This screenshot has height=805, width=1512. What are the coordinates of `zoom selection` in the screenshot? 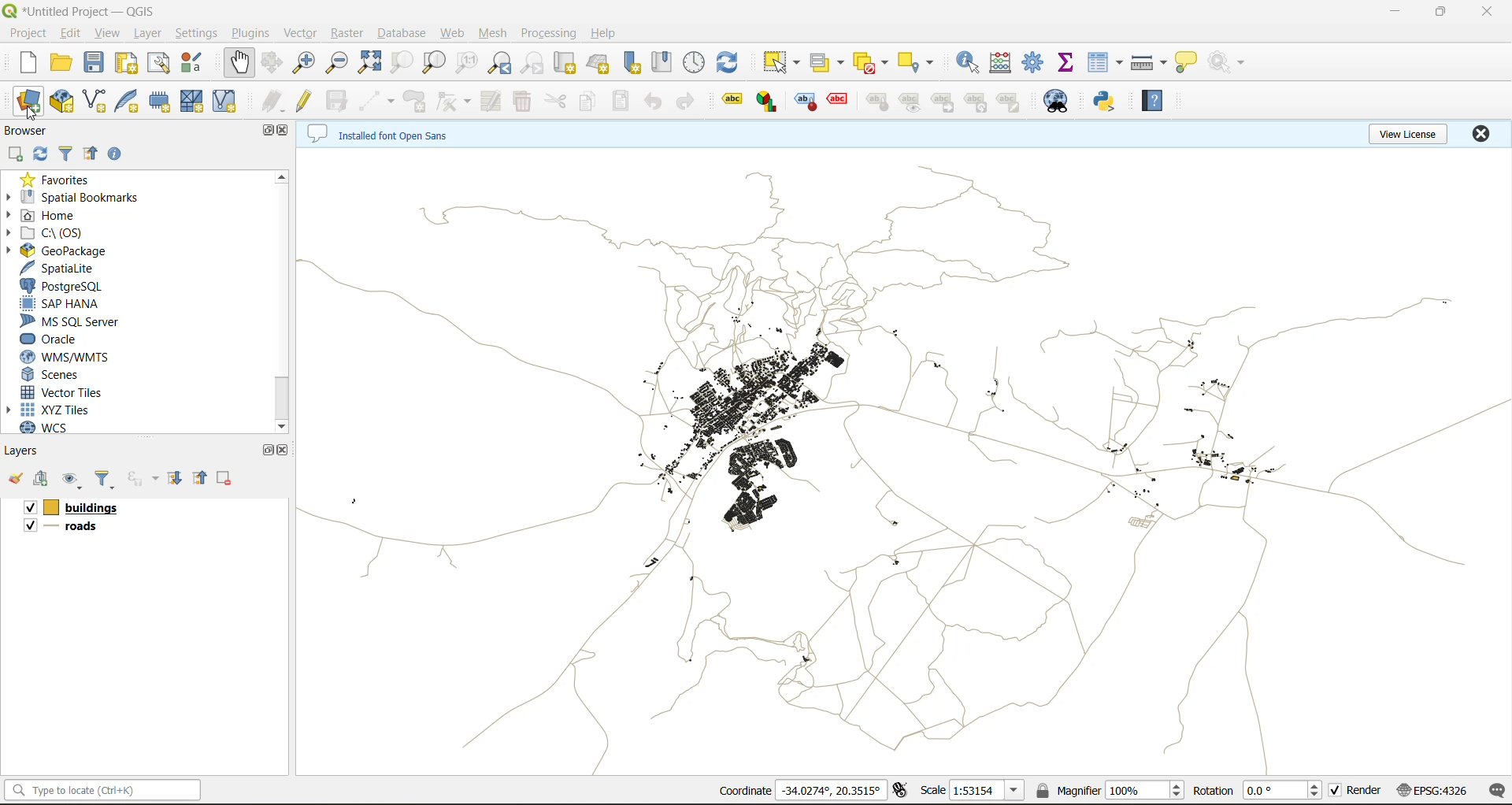 It's located at (400, 64).